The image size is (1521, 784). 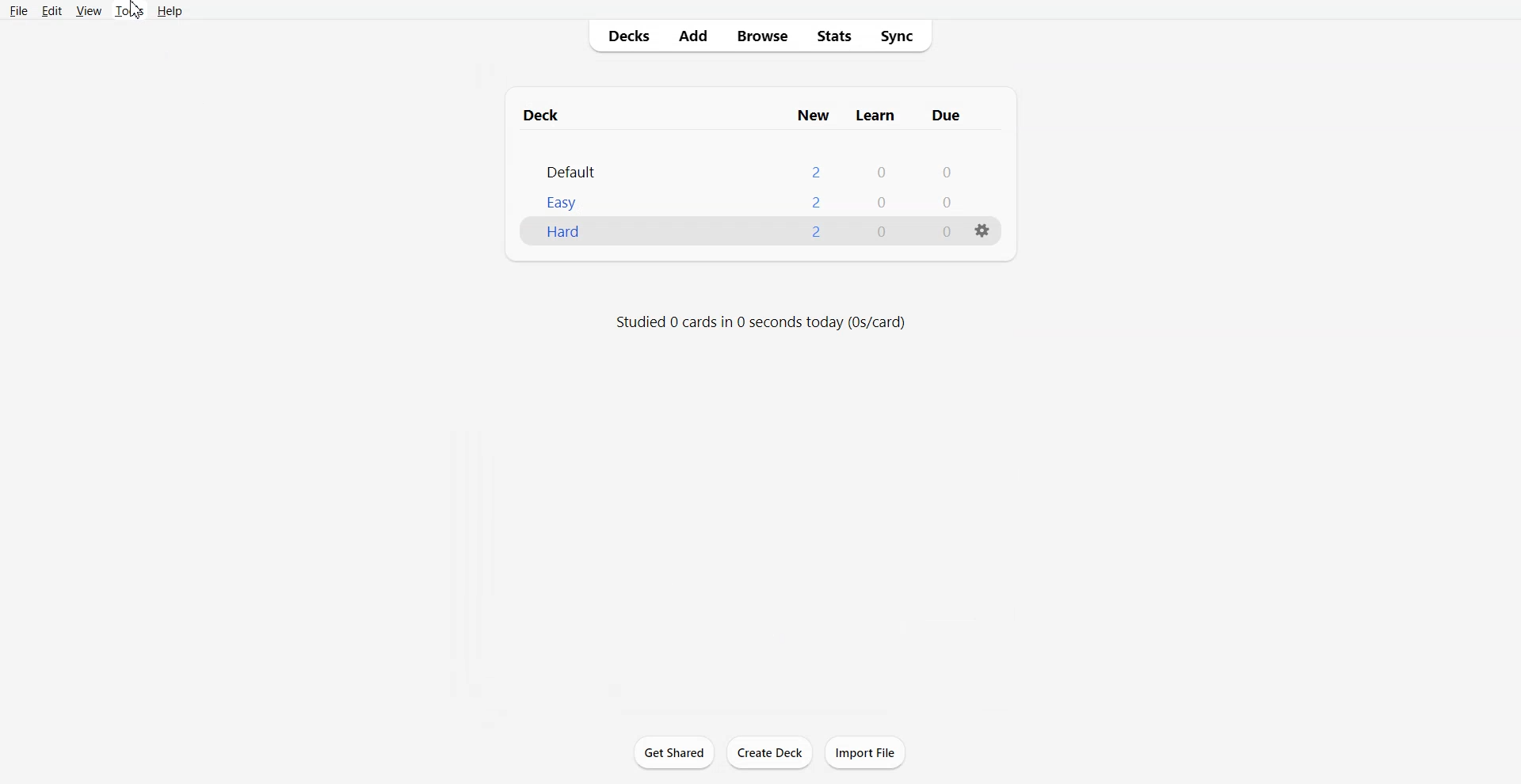 What do you see at coordinates (755, 160) in the screenshot?
I see `Deck File` at bounding box center [755, 160].